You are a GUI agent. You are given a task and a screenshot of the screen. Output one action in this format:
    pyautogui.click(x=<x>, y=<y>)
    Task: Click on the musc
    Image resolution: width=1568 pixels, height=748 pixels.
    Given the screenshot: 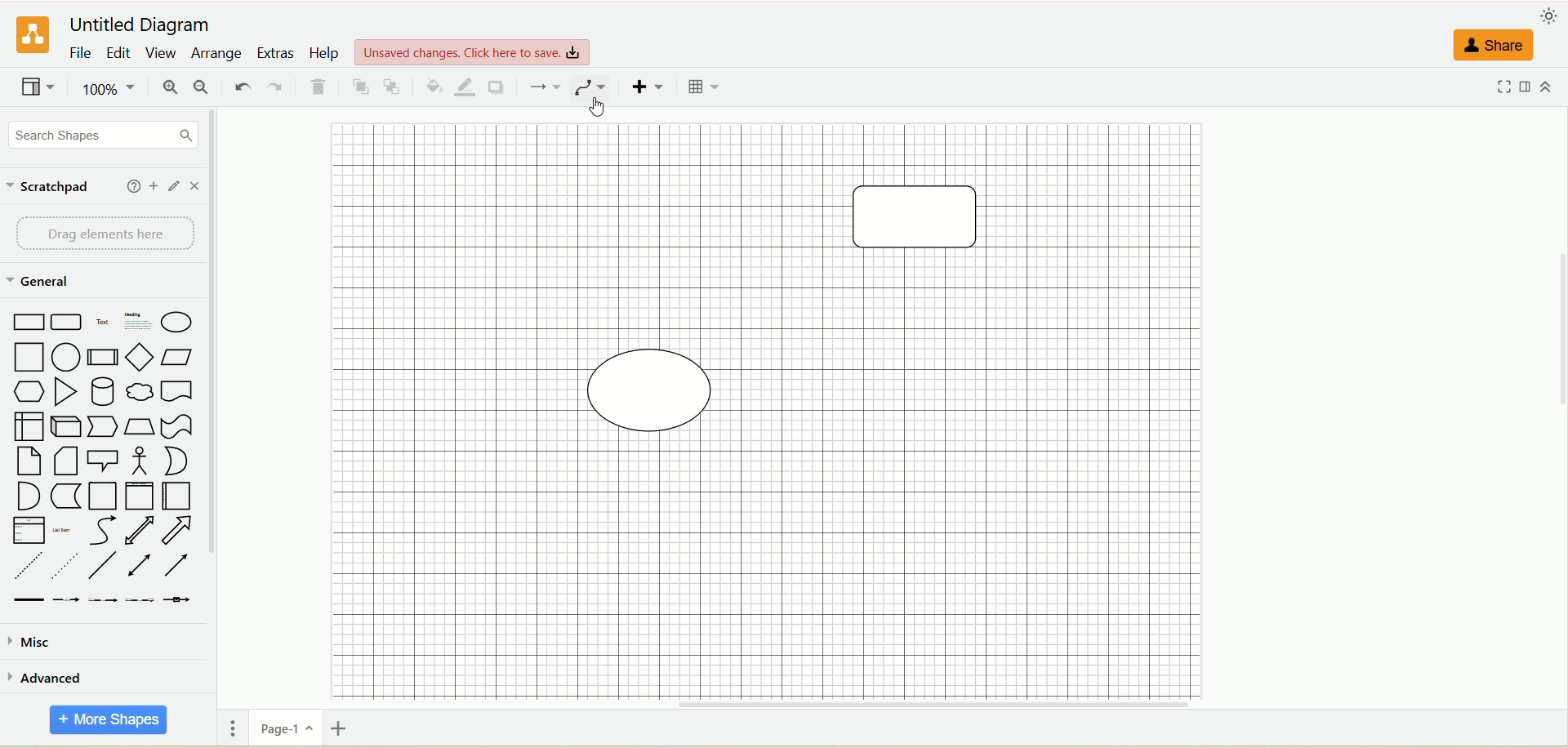 What is the action you would take?
    pyautogui.click(x=28, y=641)
    